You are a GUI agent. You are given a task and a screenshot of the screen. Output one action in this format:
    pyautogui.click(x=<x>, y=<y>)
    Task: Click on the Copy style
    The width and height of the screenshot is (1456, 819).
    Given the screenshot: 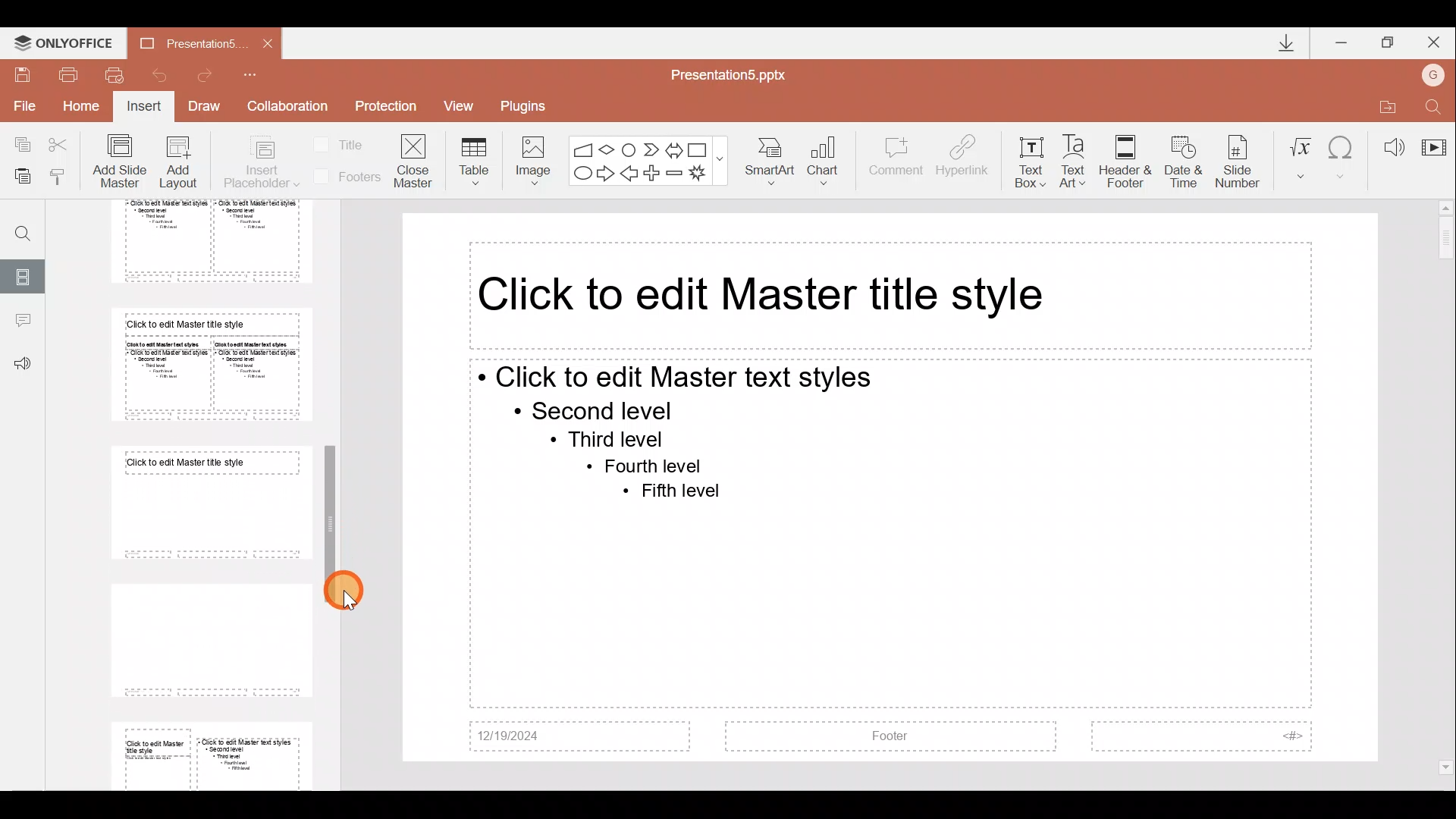 What is the action you would take?
    pyautogui.click(x=64, y=176)
    